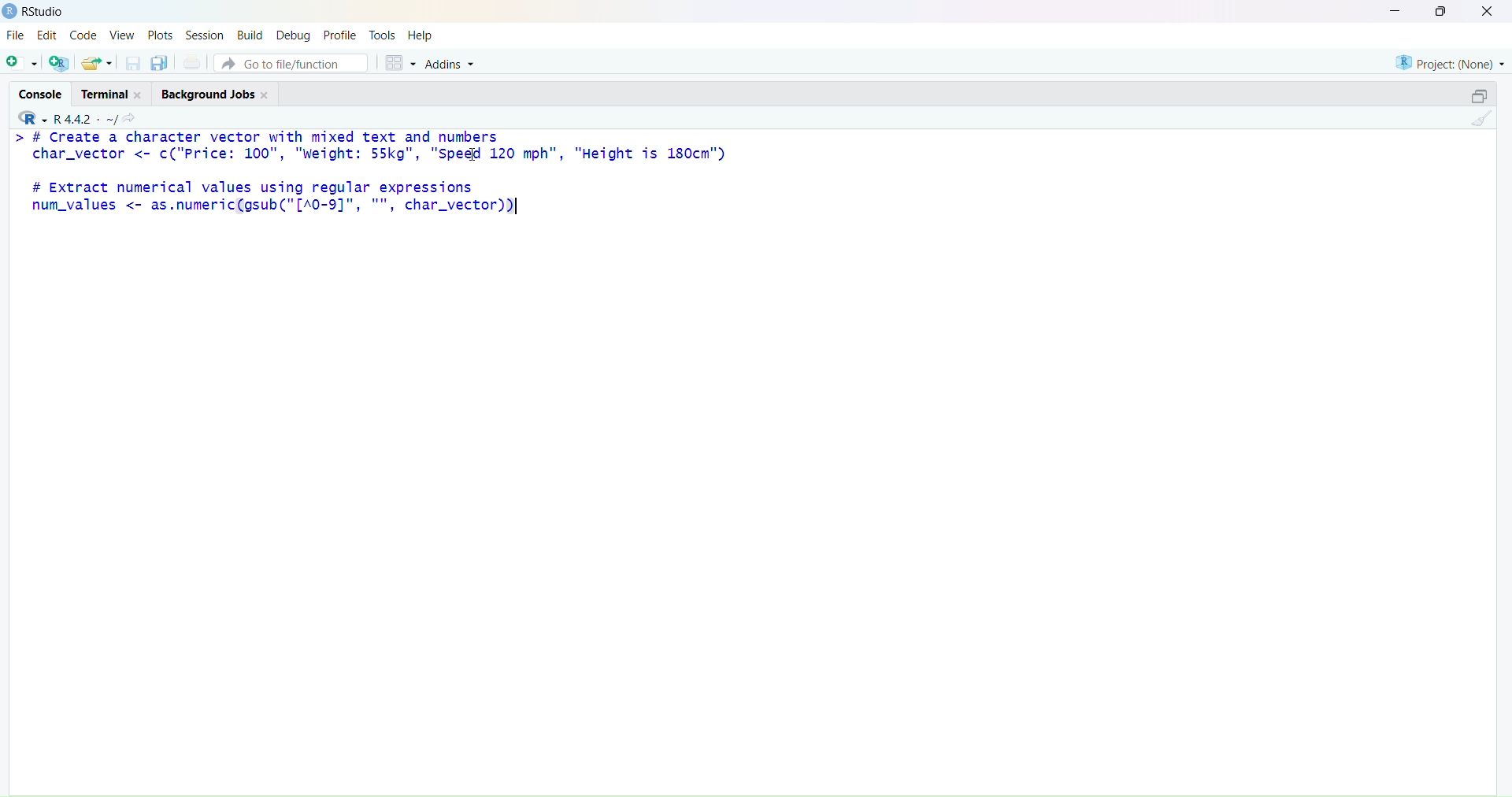 This screenshot has width=1512, height=797. I want to click on code, so click(83, 35).